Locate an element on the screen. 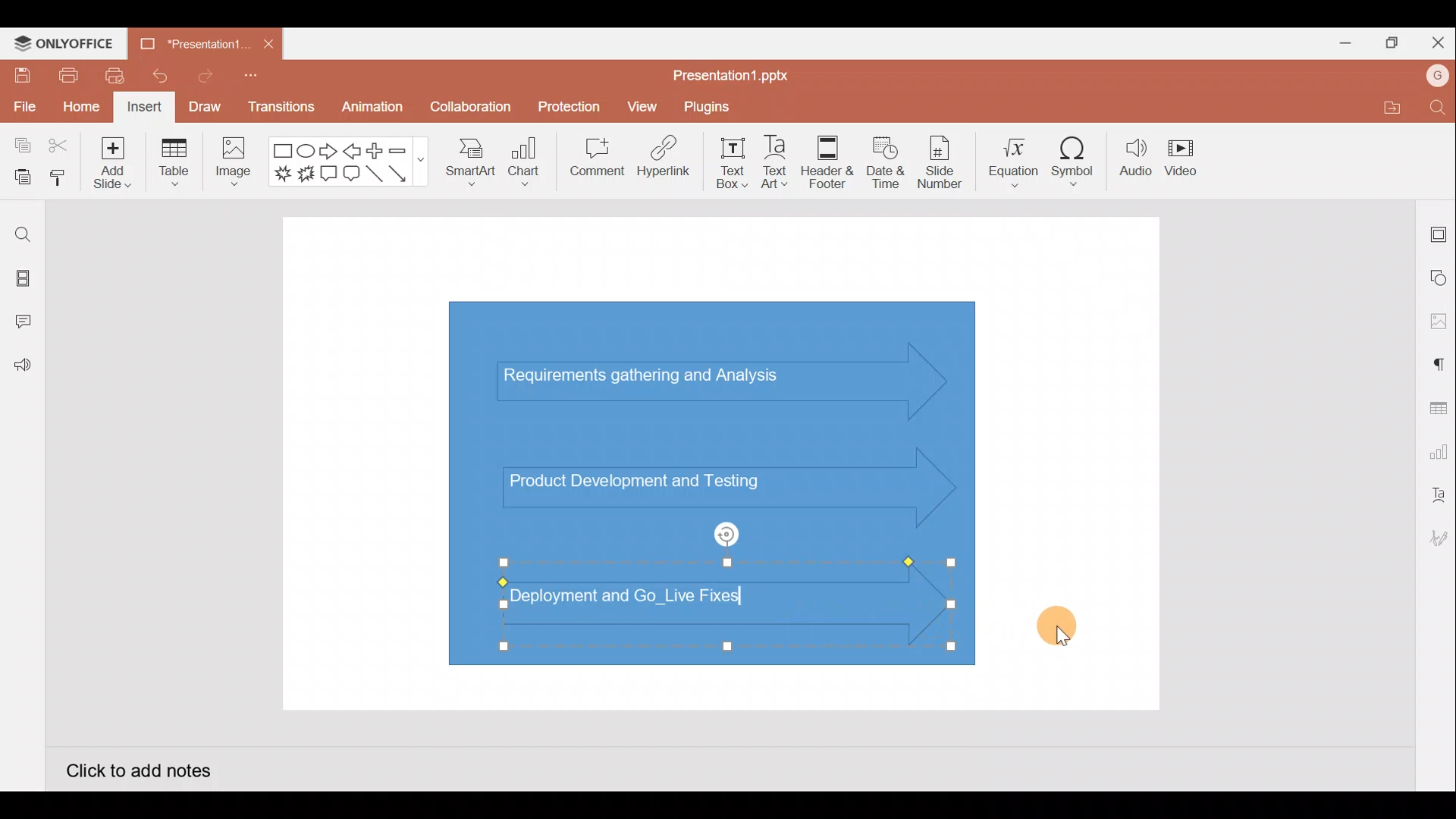  Customize quick access toolbar is located at coordinates (256, 80).